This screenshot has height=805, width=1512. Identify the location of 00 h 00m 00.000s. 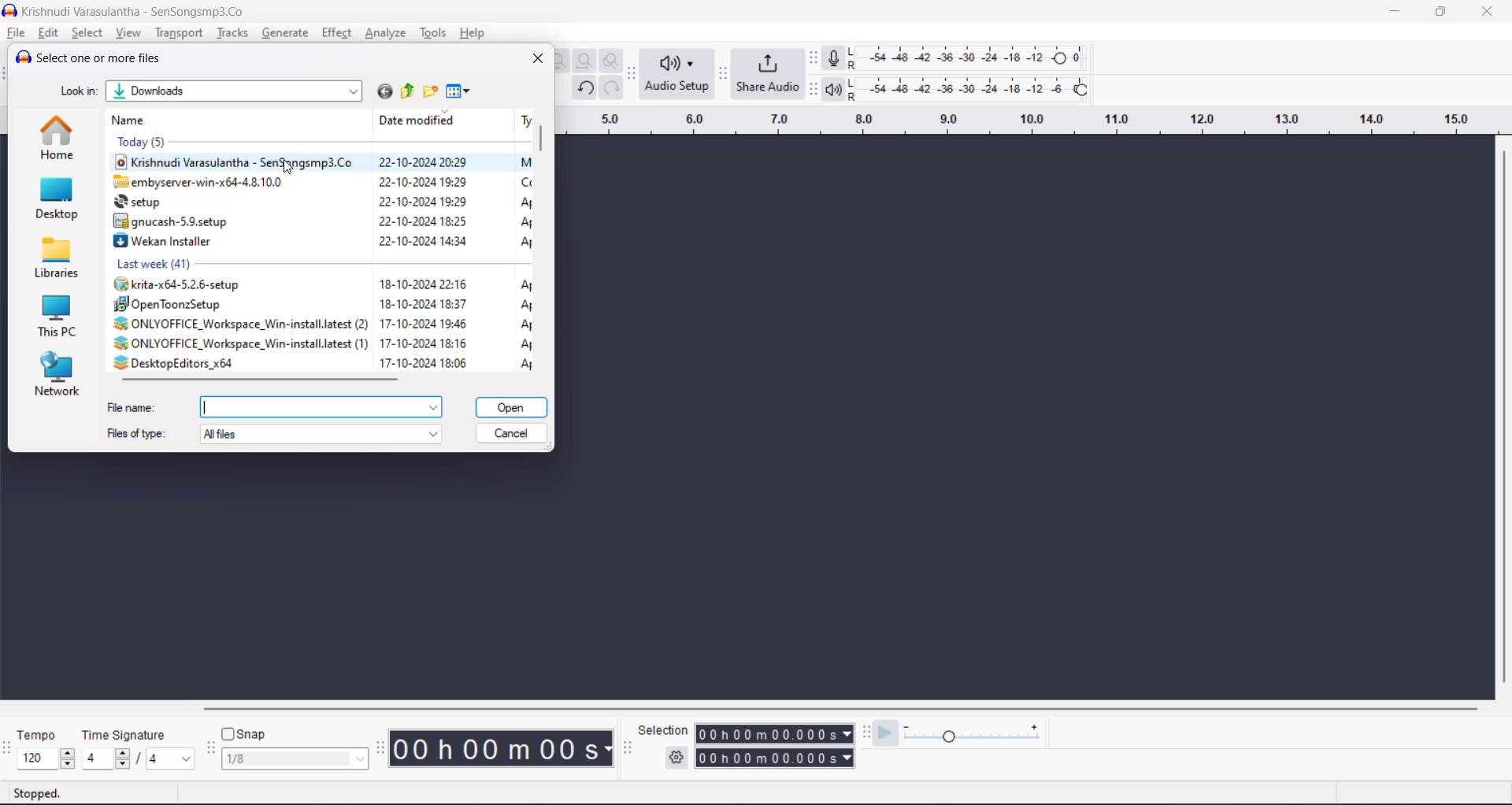
(776, 759).